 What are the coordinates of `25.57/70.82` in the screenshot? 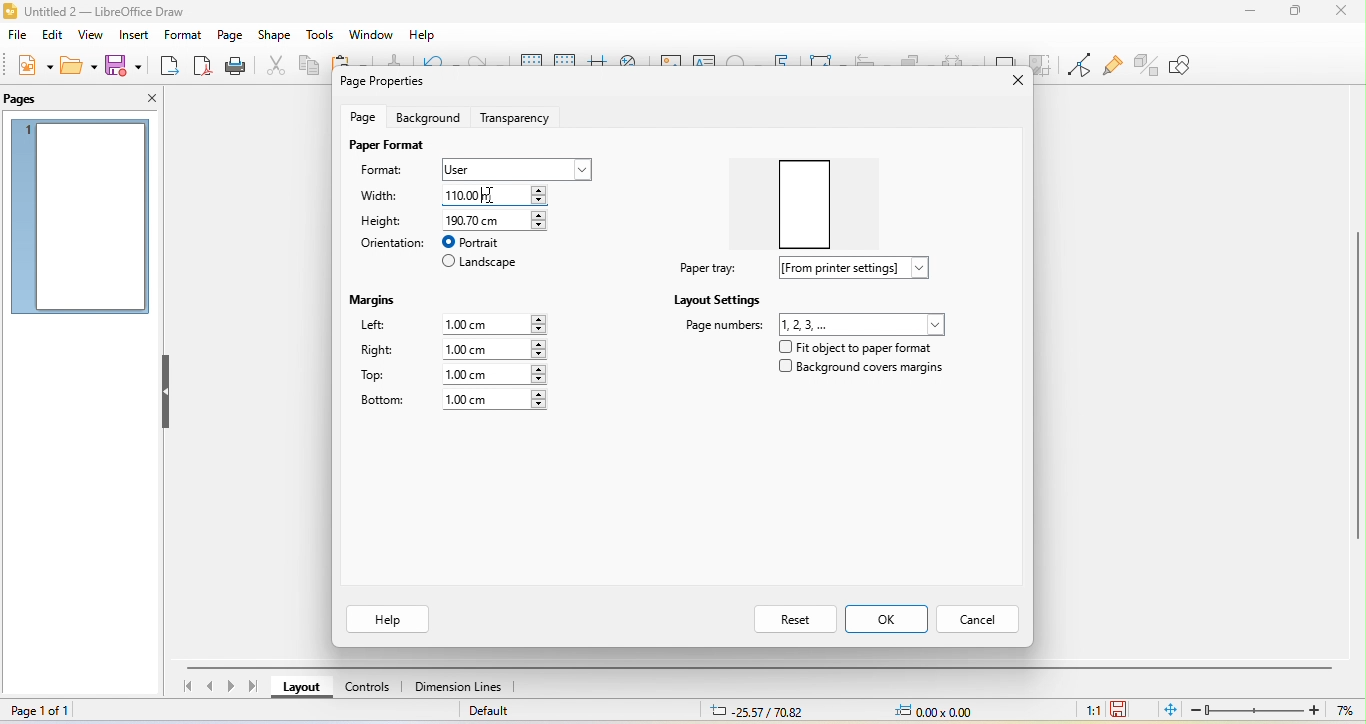 It's located at (757, 711).